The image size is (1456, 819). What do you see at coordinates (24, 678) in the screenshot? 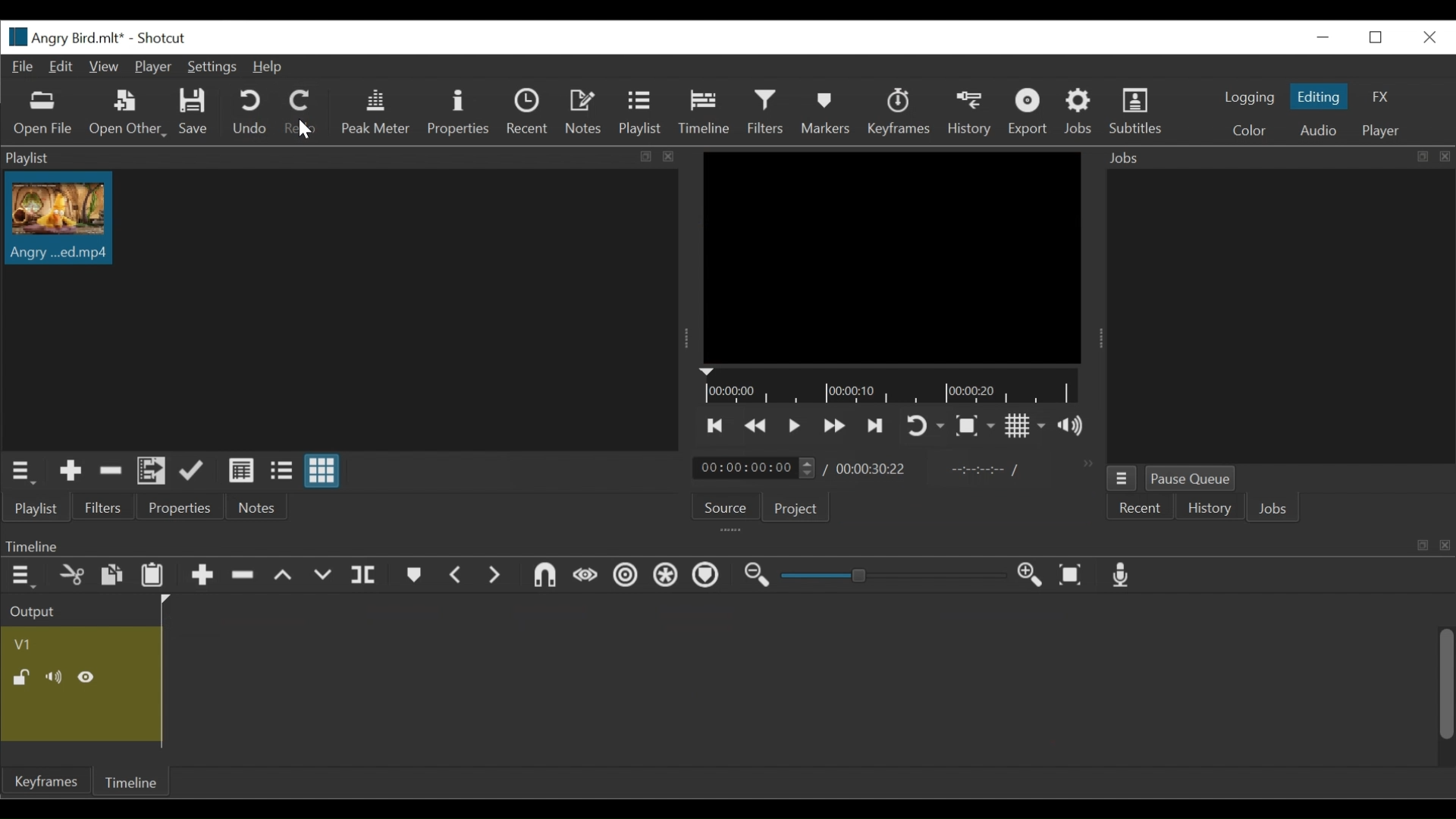
I see `(un)lock track` at bounding box center [24, 678].